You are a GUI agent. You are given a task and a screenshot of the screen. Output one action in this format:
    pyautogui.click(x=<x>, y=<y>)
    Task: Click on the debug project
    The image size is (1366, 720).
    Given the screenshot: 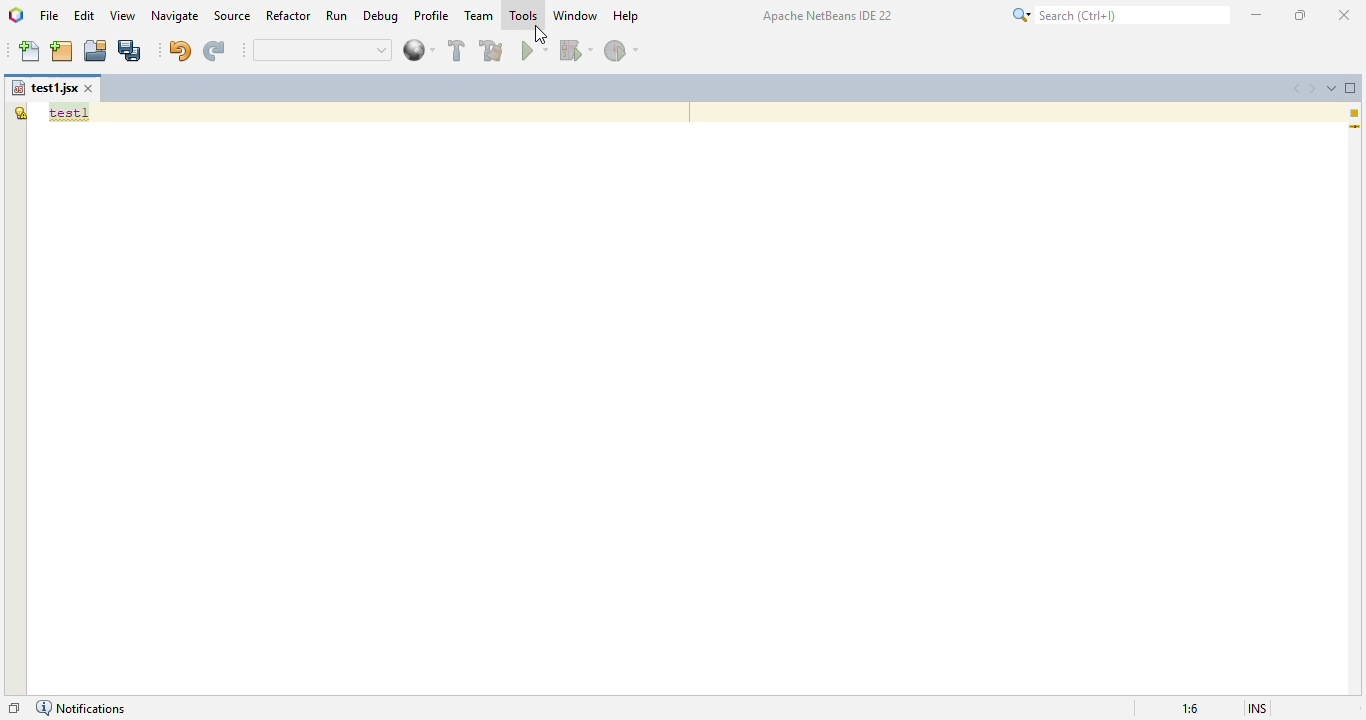 What is the action you would take?
    pyautogui.click(x=576, y=50)
    